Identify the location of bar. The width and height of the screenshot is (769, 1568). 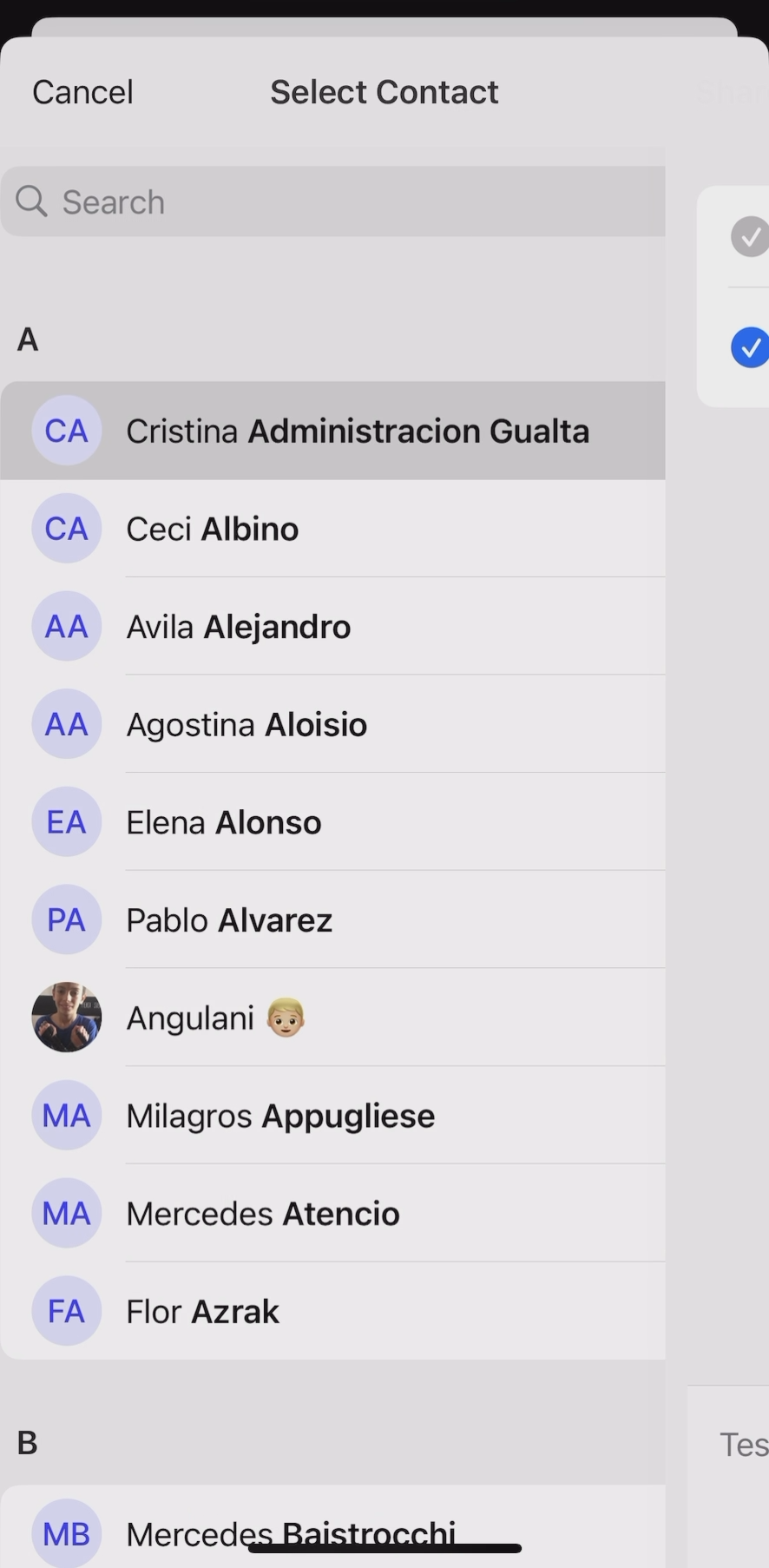
(390, 1550).